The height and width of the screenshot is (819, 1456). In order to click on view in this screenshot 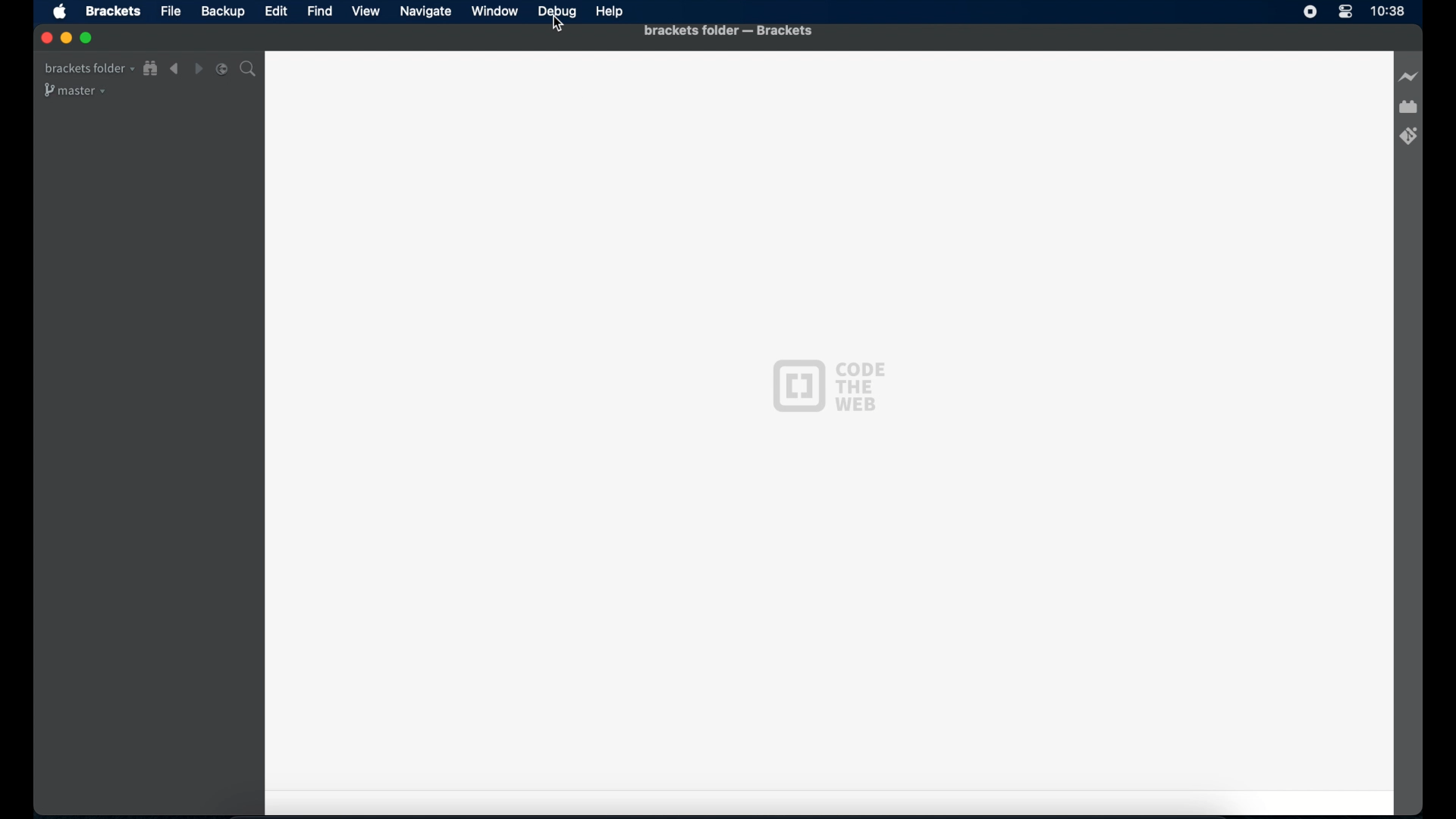, I will do `click(366, 11)`.